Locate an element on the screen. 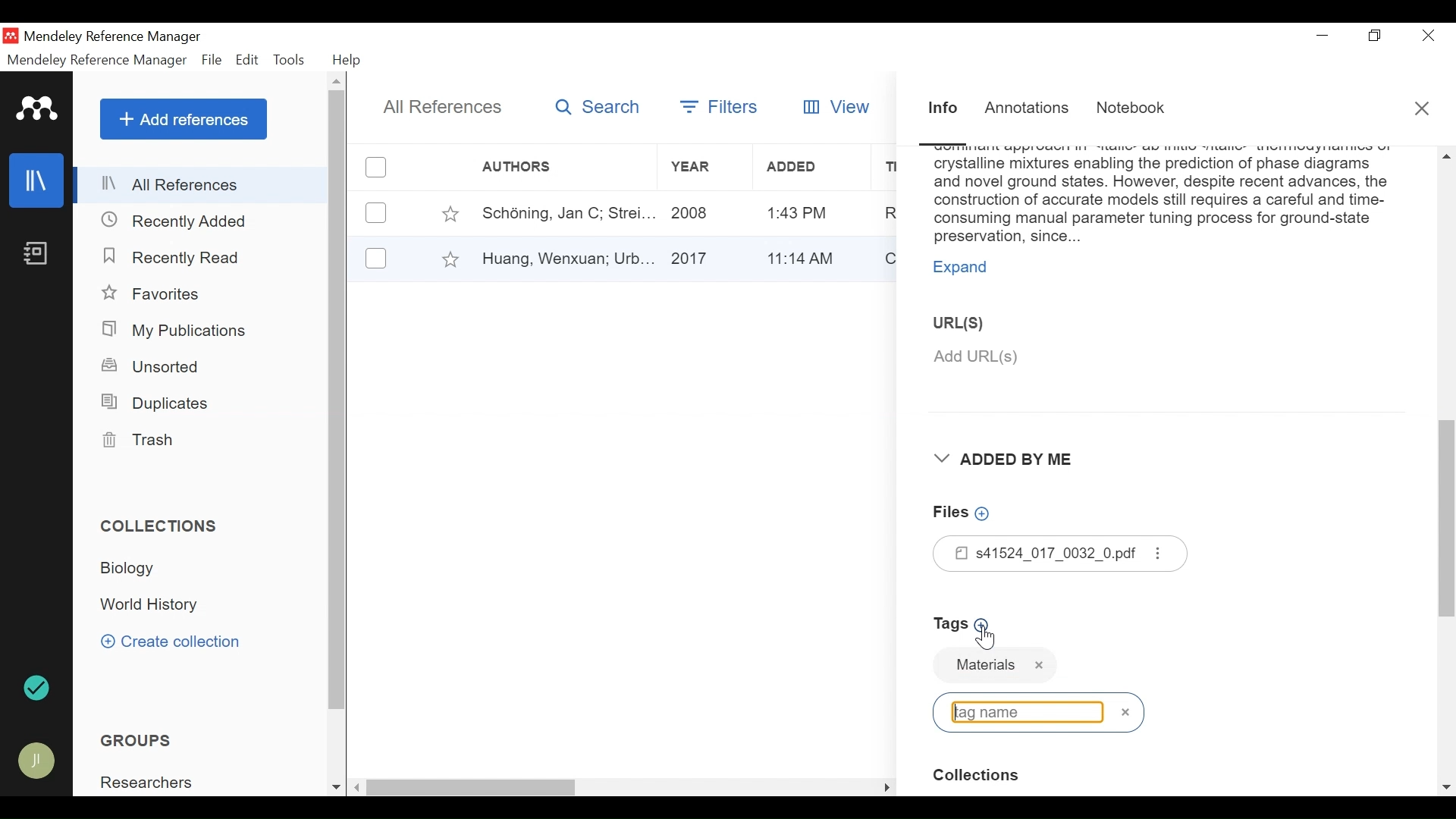 The width and height of the screenshot is (1456, 819). Recently Read is located at coordinates (180, 259).